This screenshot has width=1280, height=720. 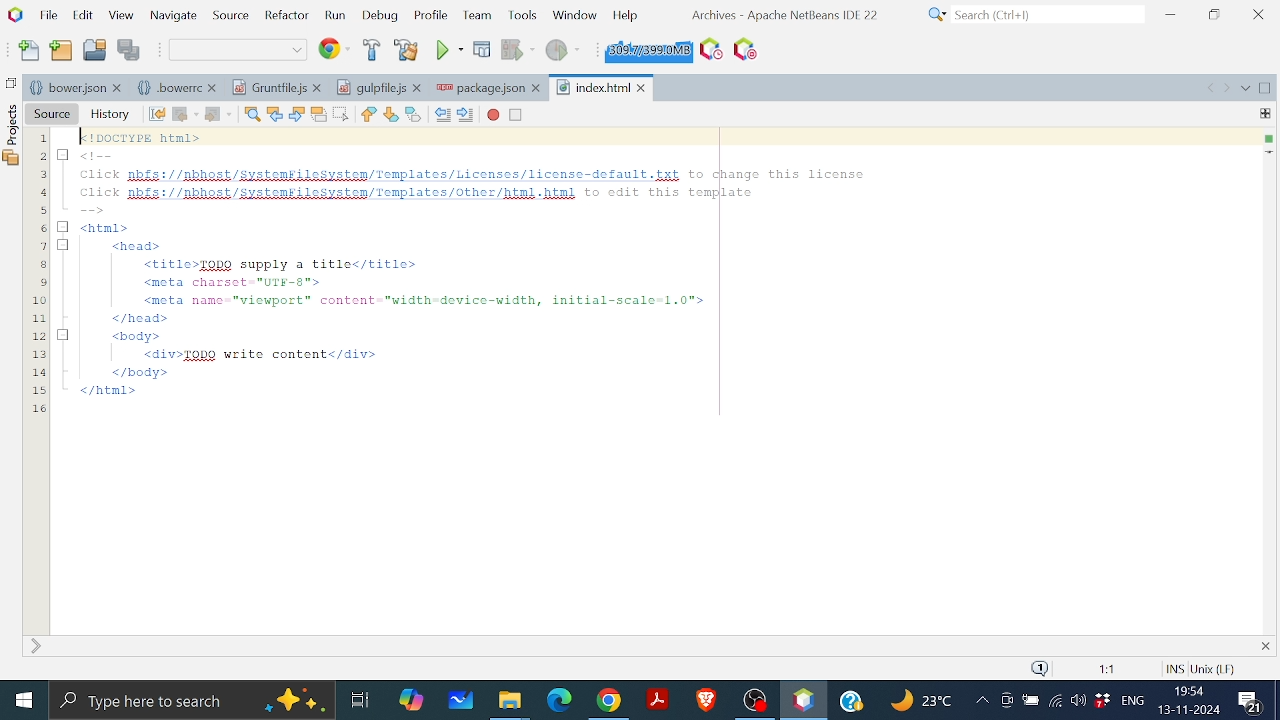 I want to click on , so click(x=1078, y=699).